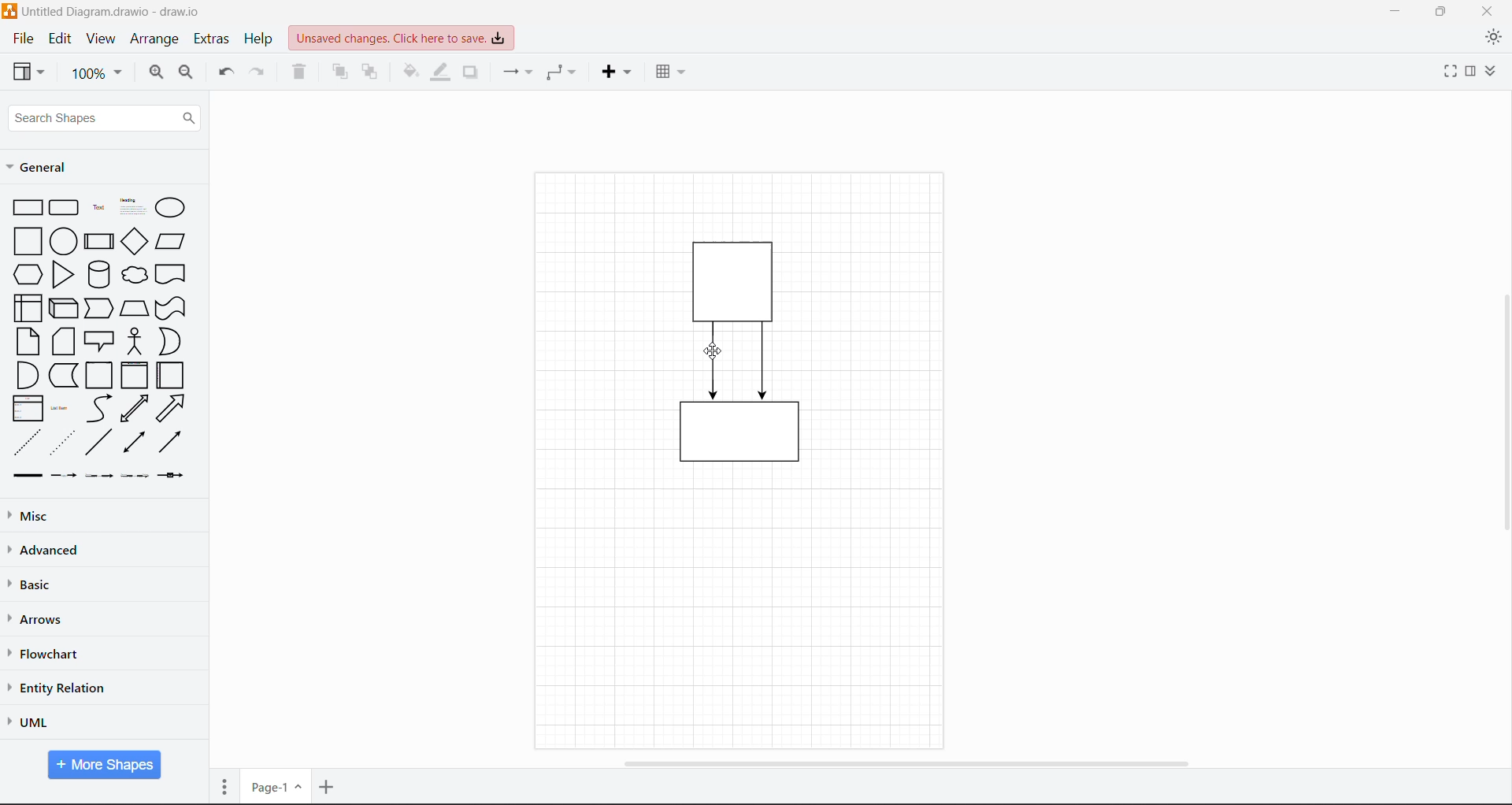 This screenshot has height=805, width=1512. What do you see at coordinates (28, 340) in the screenshot?
I see `Note` at bounding box center [28, 340].